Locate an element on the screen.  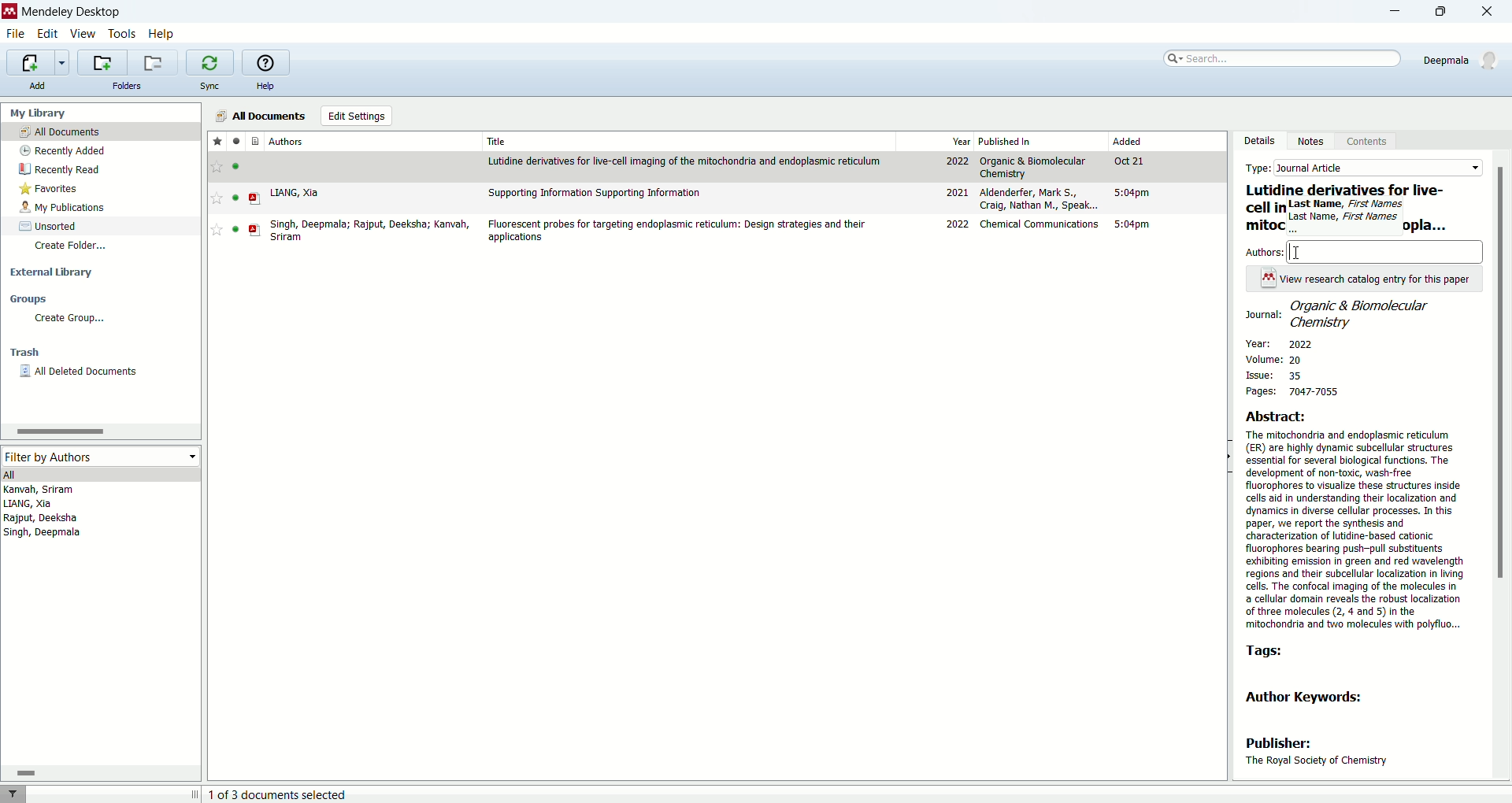
close is located at coordinates (1492, 11).